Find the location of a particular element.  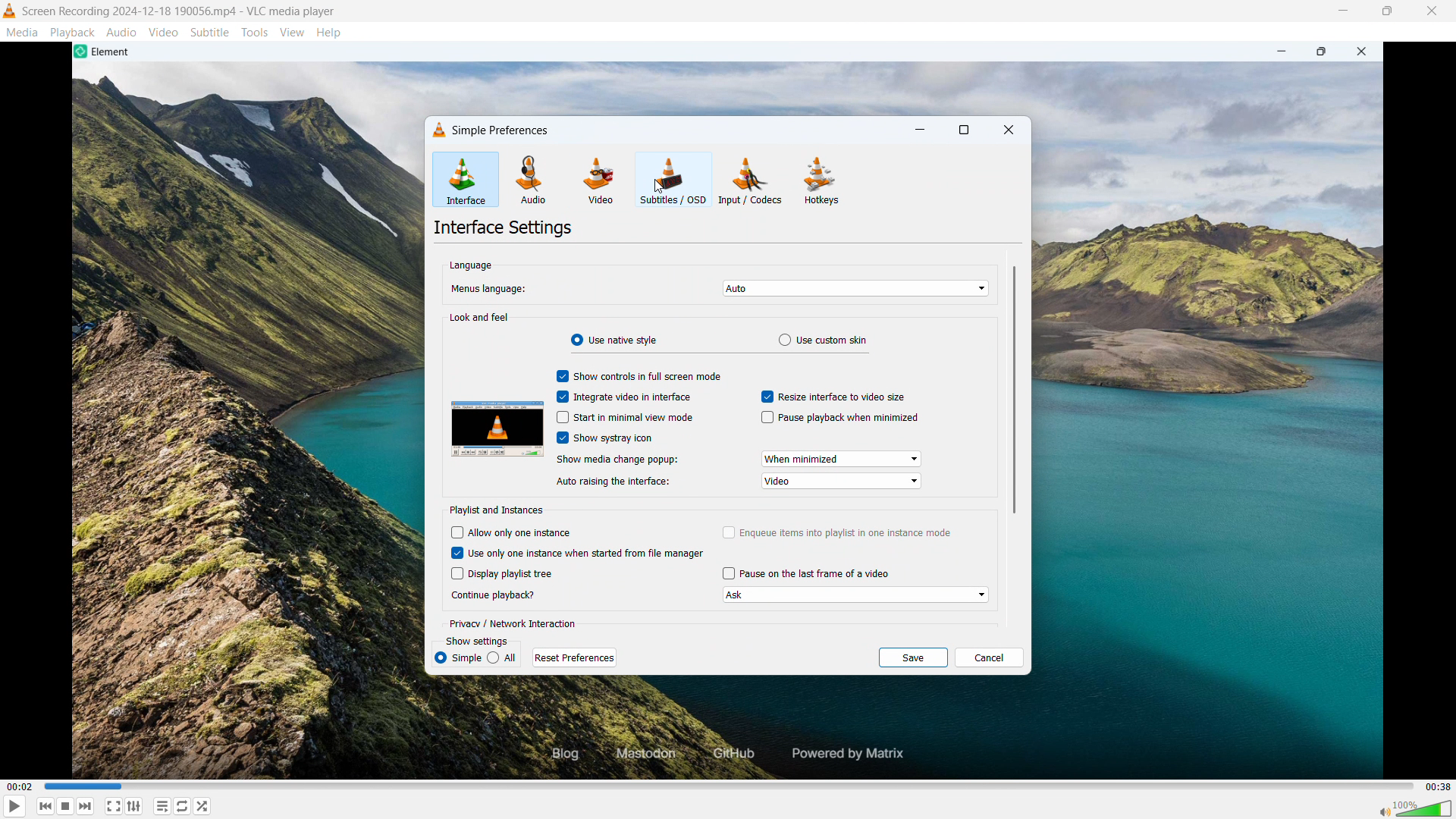

Subtitles or OSD  is located at coordinates (673, 180).